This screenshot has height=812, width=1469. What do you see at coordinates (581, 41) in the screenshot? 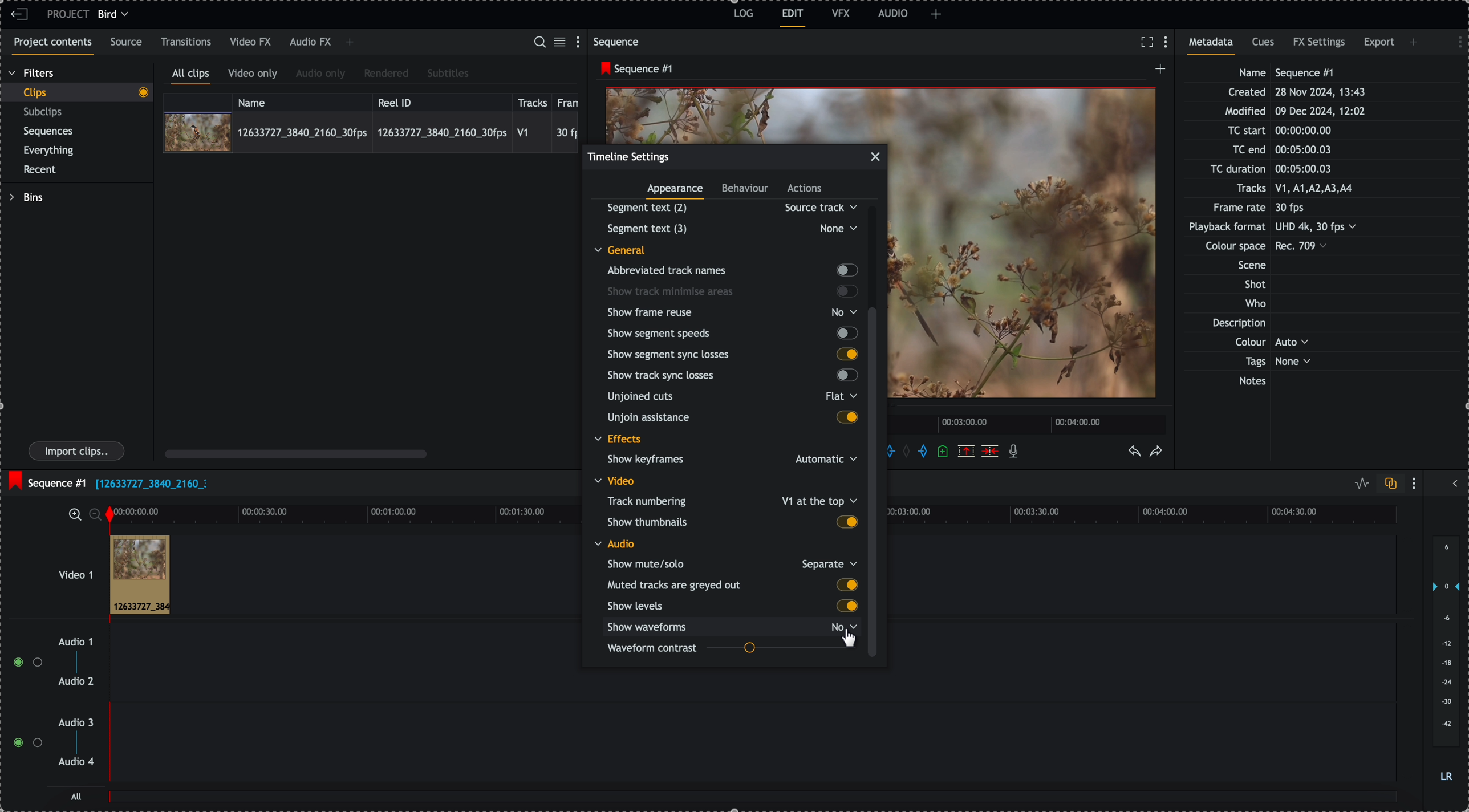
I see `show settings menu` at bounding box center [581, 41].